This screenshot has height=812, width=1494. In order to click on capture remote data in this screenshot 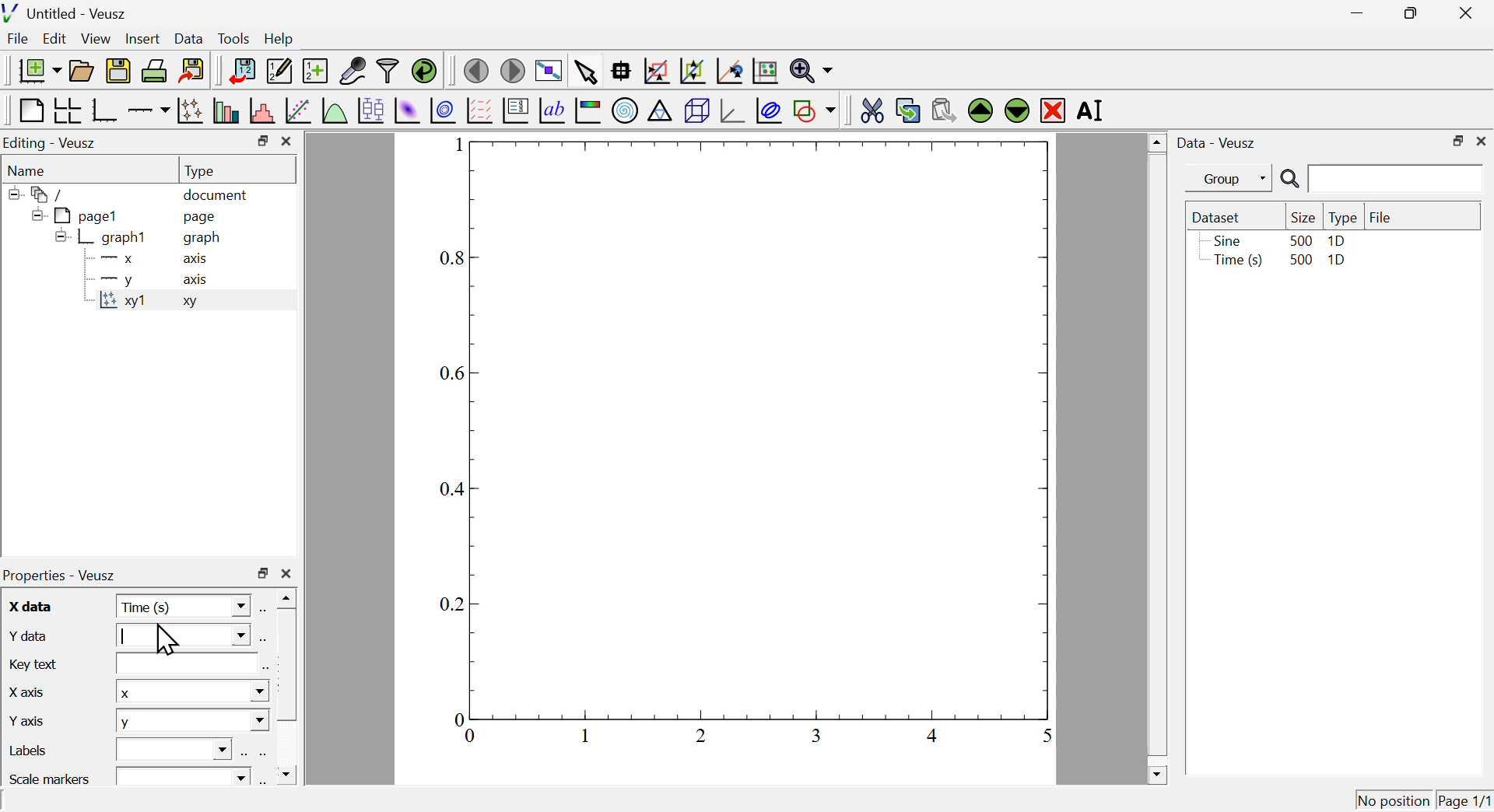, I will do `click(352, 71)`.